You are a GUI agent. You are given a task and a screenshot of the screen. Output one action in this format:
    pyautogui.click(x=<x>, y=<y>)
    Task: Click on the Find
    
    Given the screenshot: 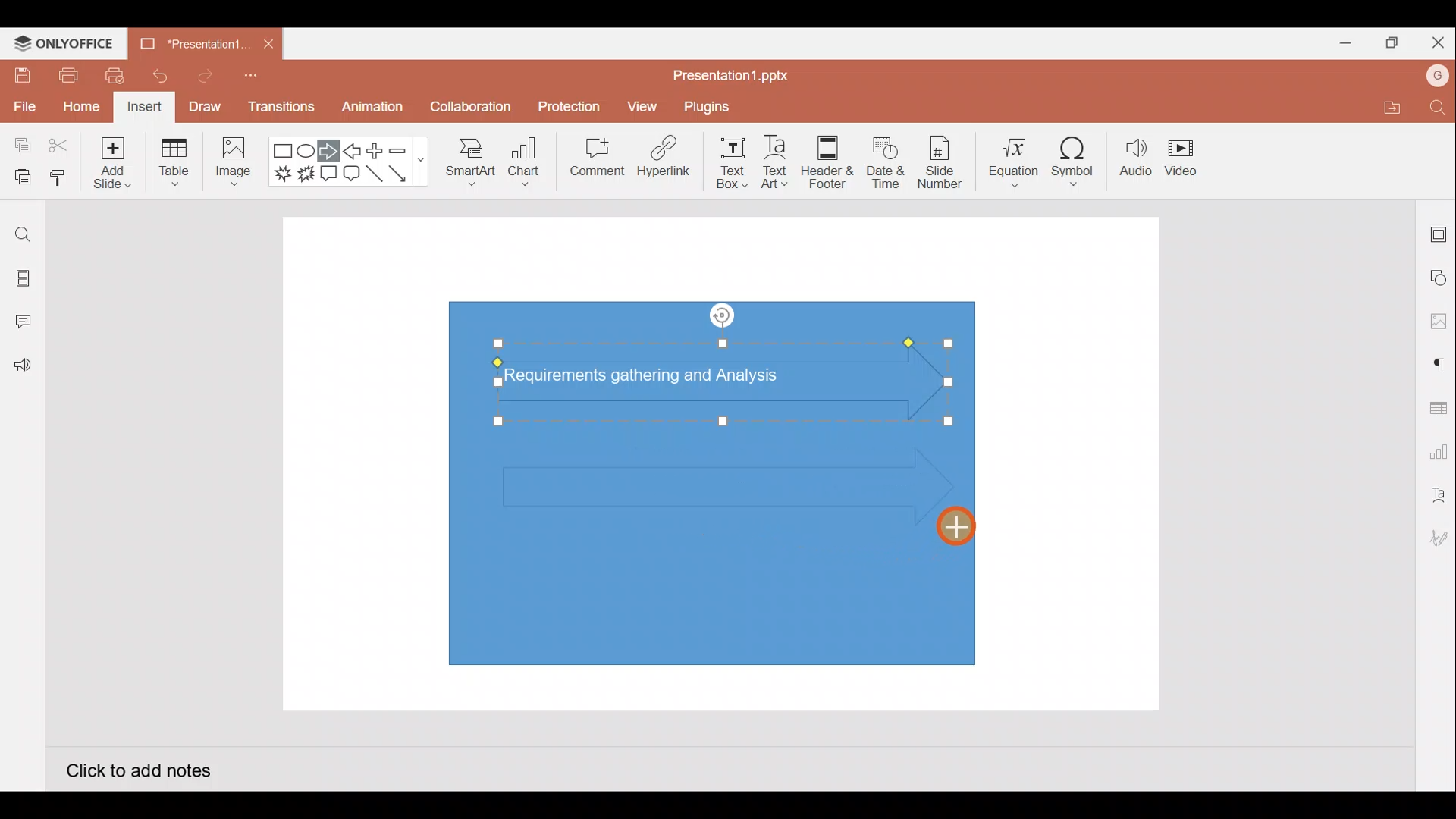 What is the action you would take?
    pyautogui.click(x=23, y=234)
    